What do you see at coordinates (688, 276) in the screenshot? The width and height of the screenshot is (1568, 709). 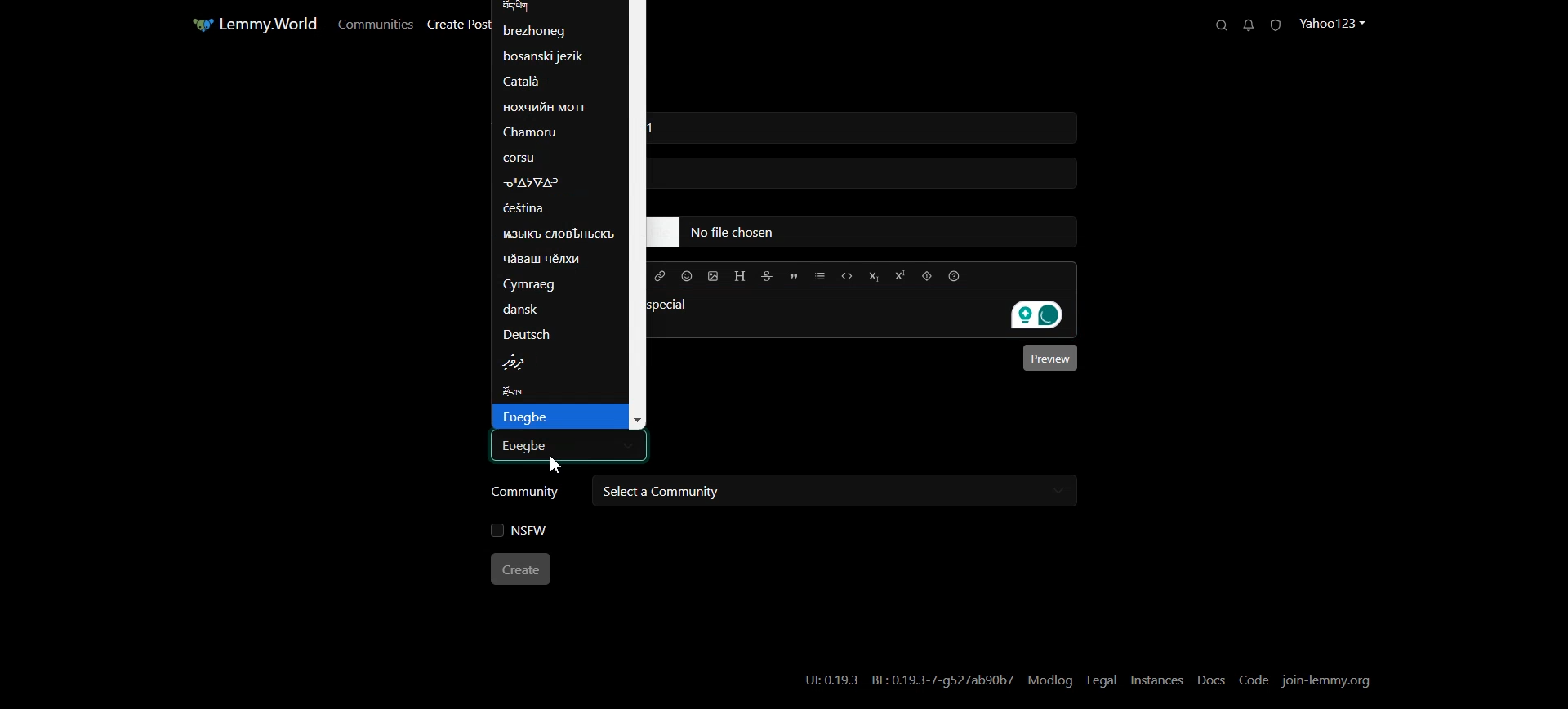 I see `Insert Emoji` at bounding box center [688, 276].